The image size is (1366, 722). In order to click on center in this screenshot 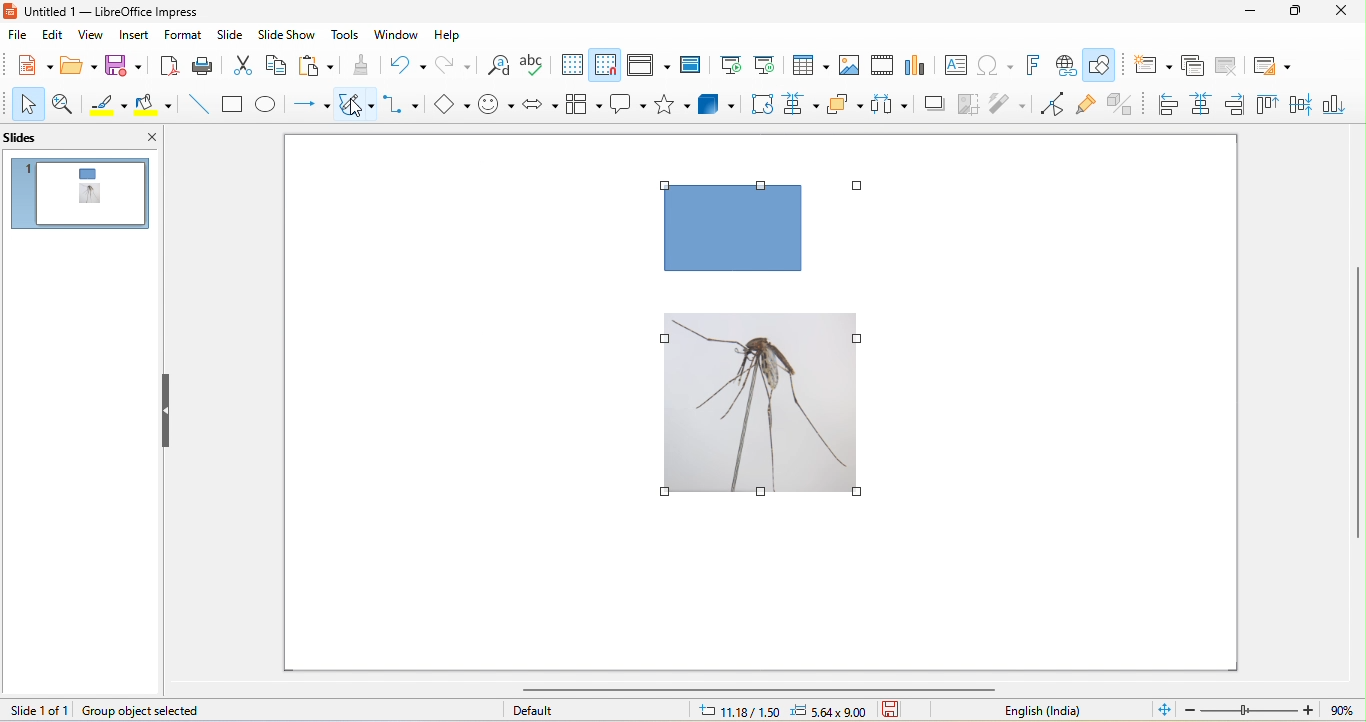, I will do `click(1301, 109)`.